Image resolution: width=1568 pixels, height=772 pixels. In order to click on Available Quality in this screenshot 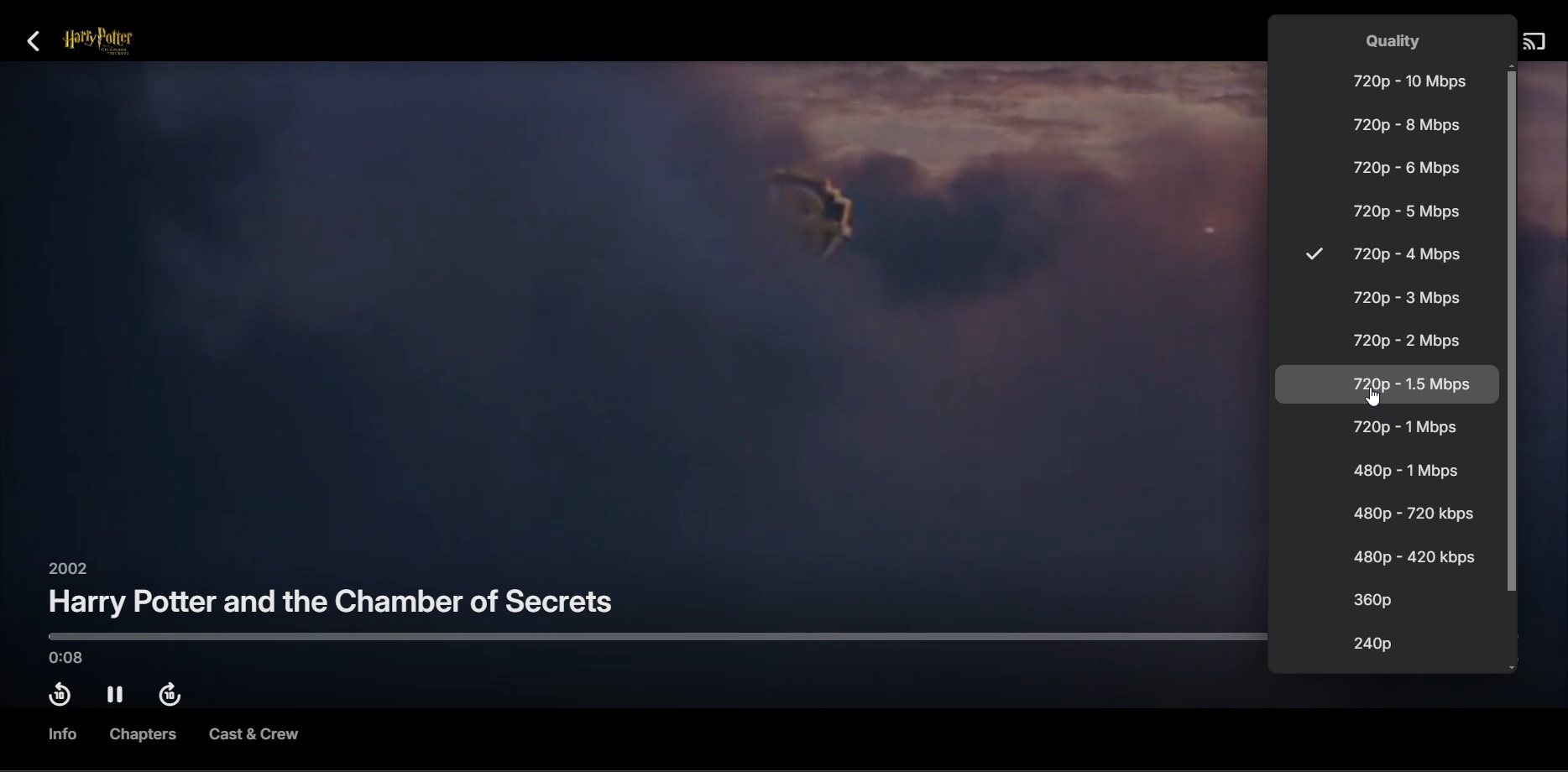, I will do `click(1312, 254)`.